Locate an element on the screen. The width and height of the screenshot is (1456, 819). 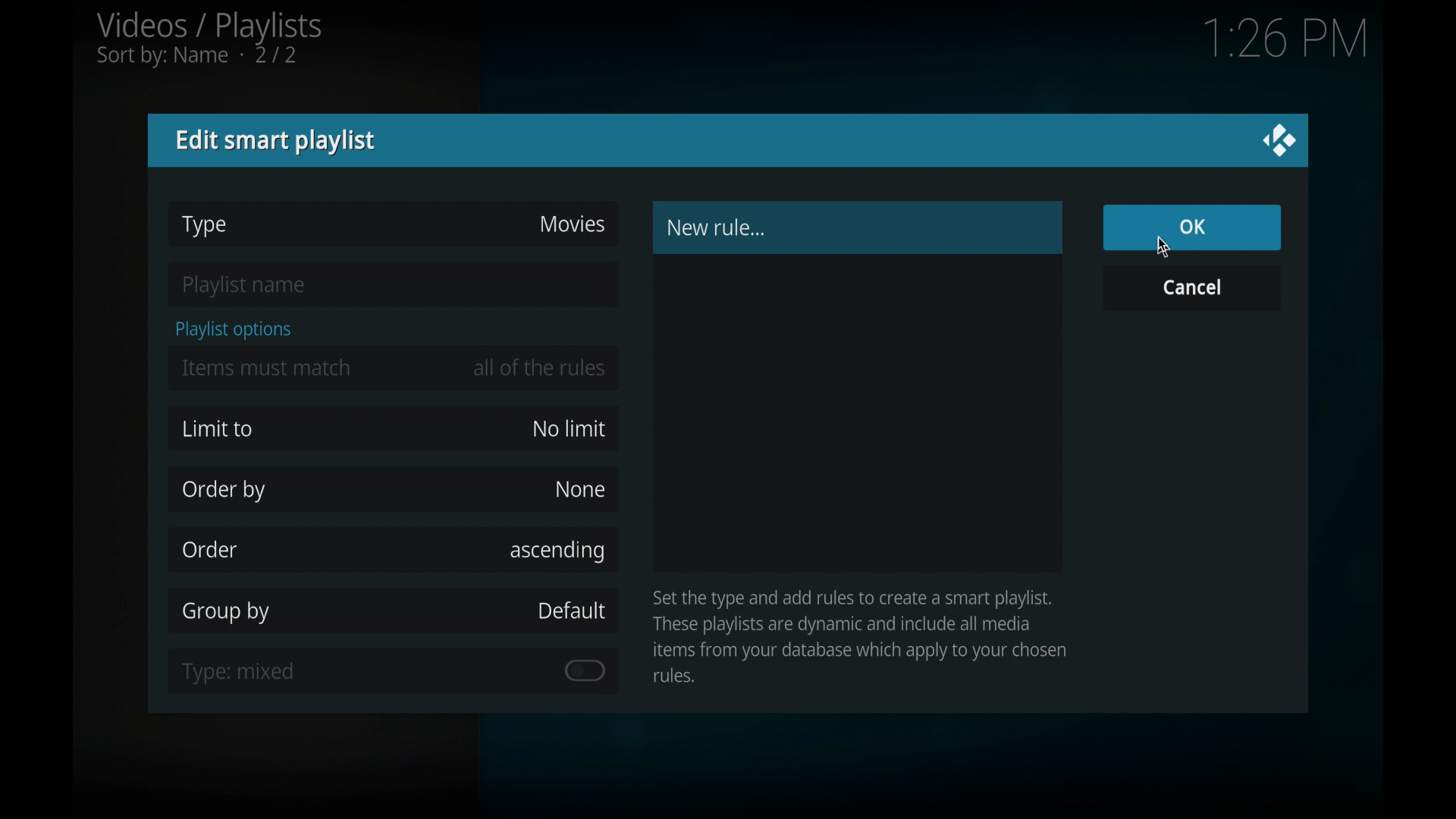
order by is located at coordinates (224, 491).